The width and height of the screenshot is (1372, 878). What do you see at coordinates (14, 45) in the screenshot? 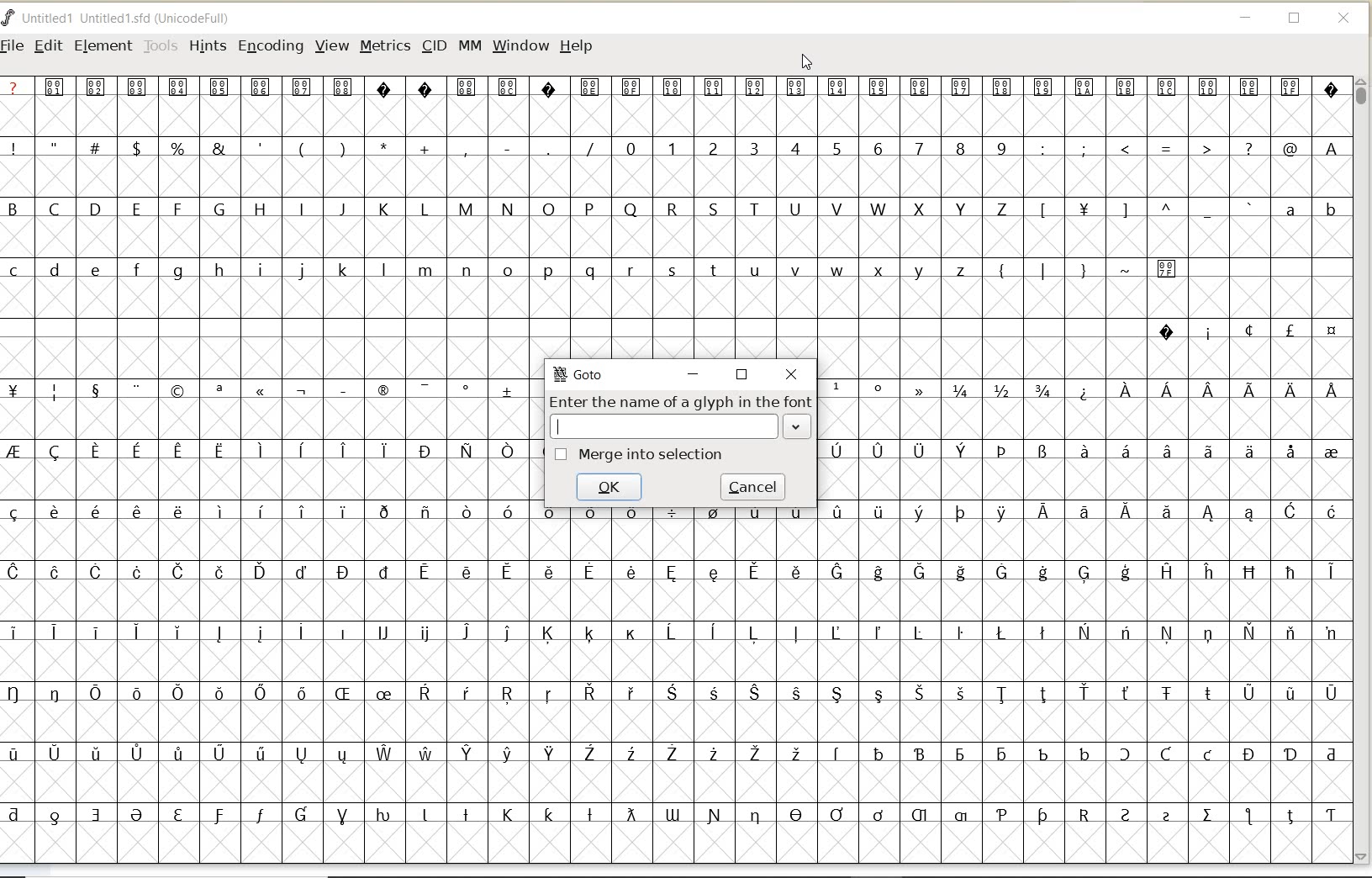
I see `FILE` at bounding box center [14, 45].